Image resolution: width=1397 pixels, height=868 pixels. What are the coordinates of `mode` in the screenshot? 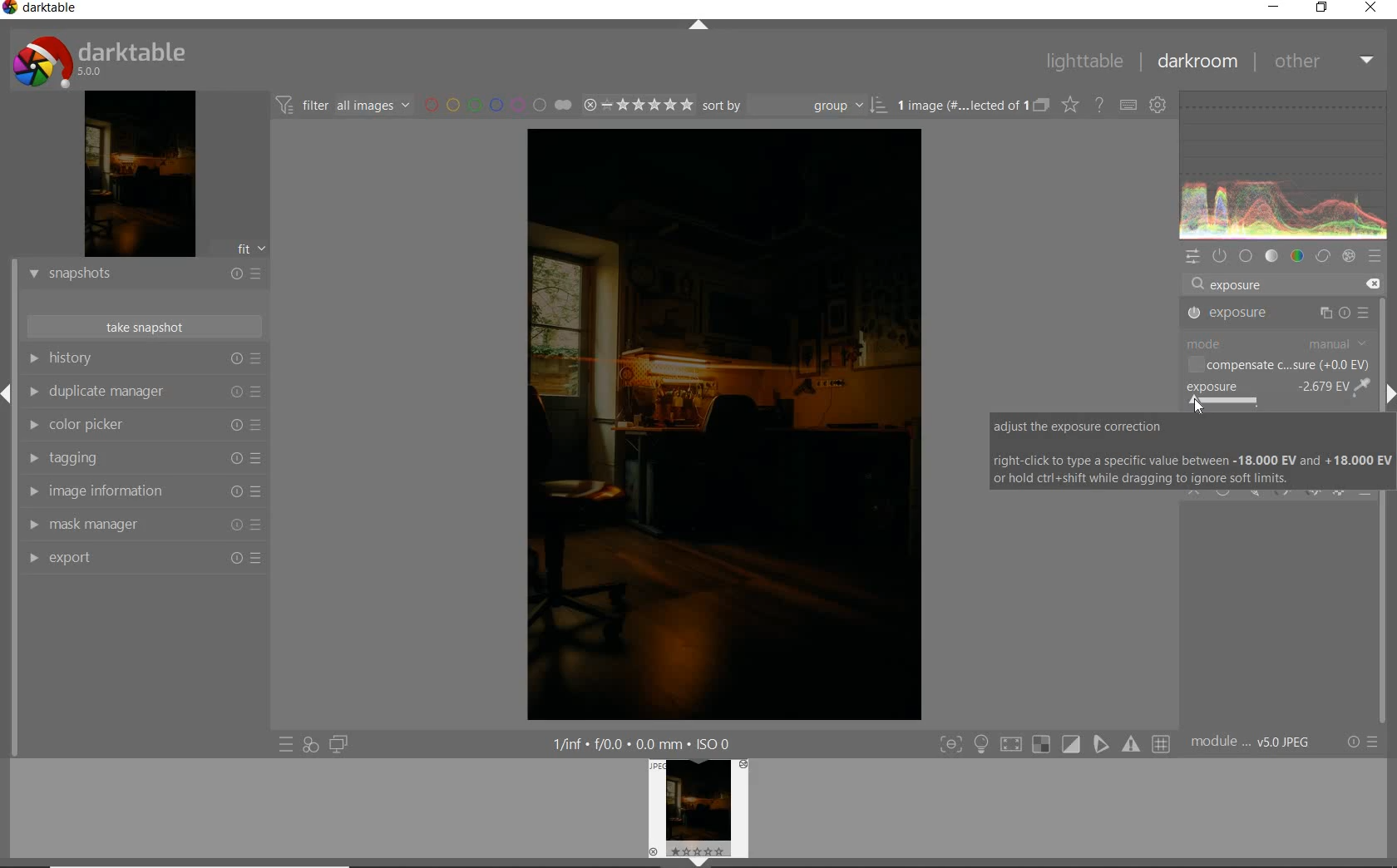 It's located at (1277, 344).